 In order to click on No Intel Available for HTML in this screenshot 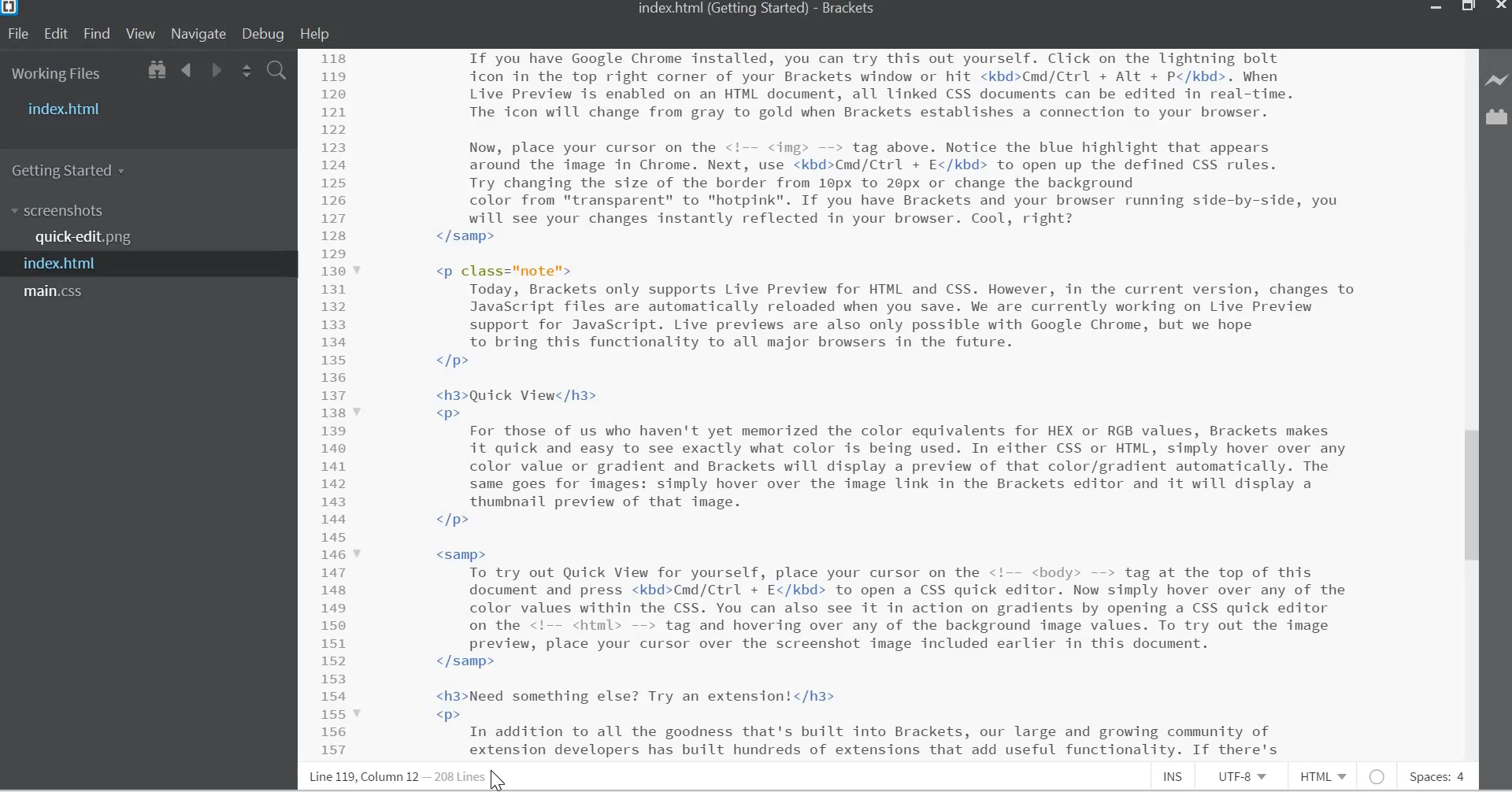, I will do `click(1377, 778)`.